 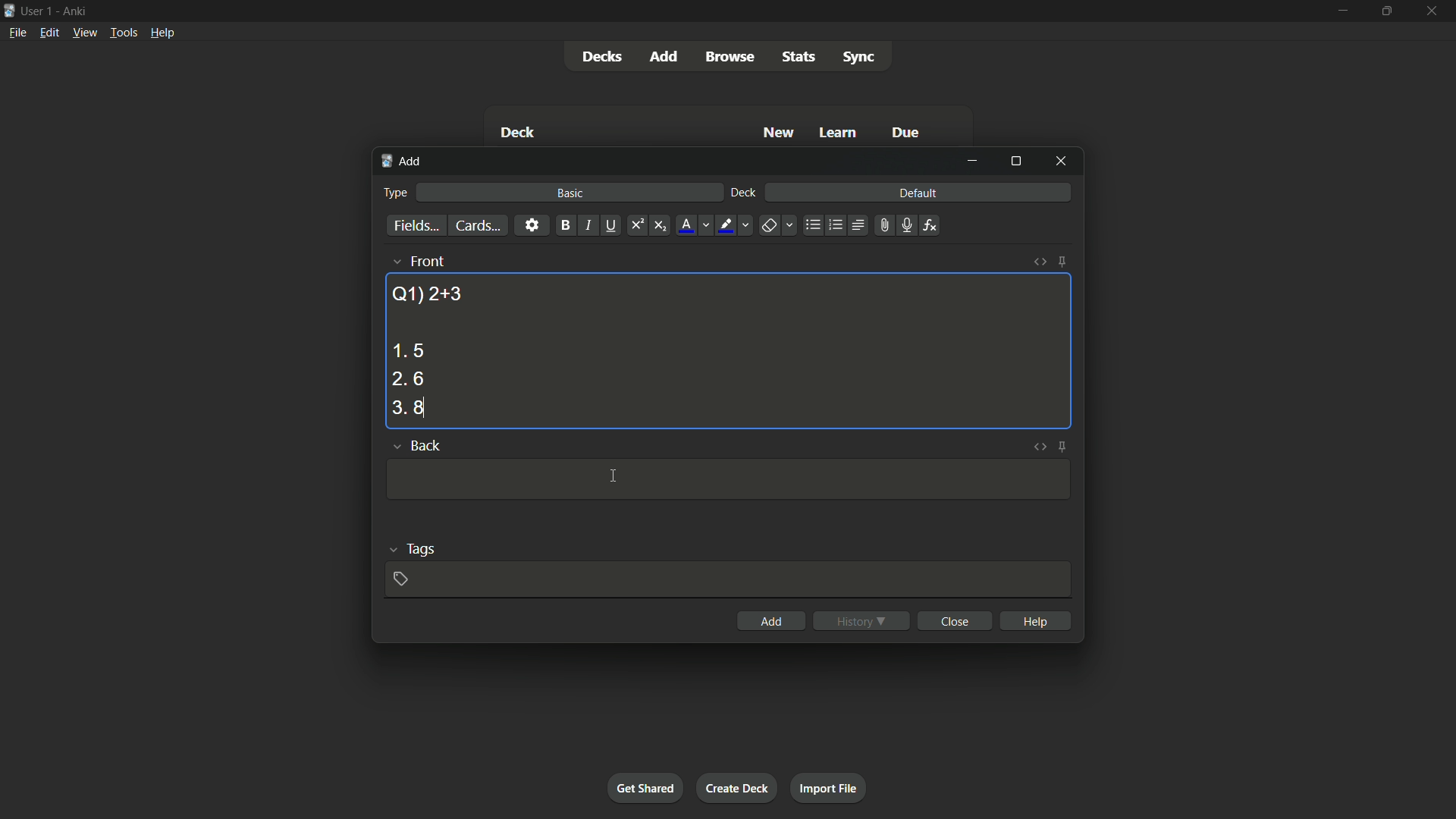 What do you see at coordinates (19, 32) in the screenshot?
I see `file menu` at bounding box center [19, 32].